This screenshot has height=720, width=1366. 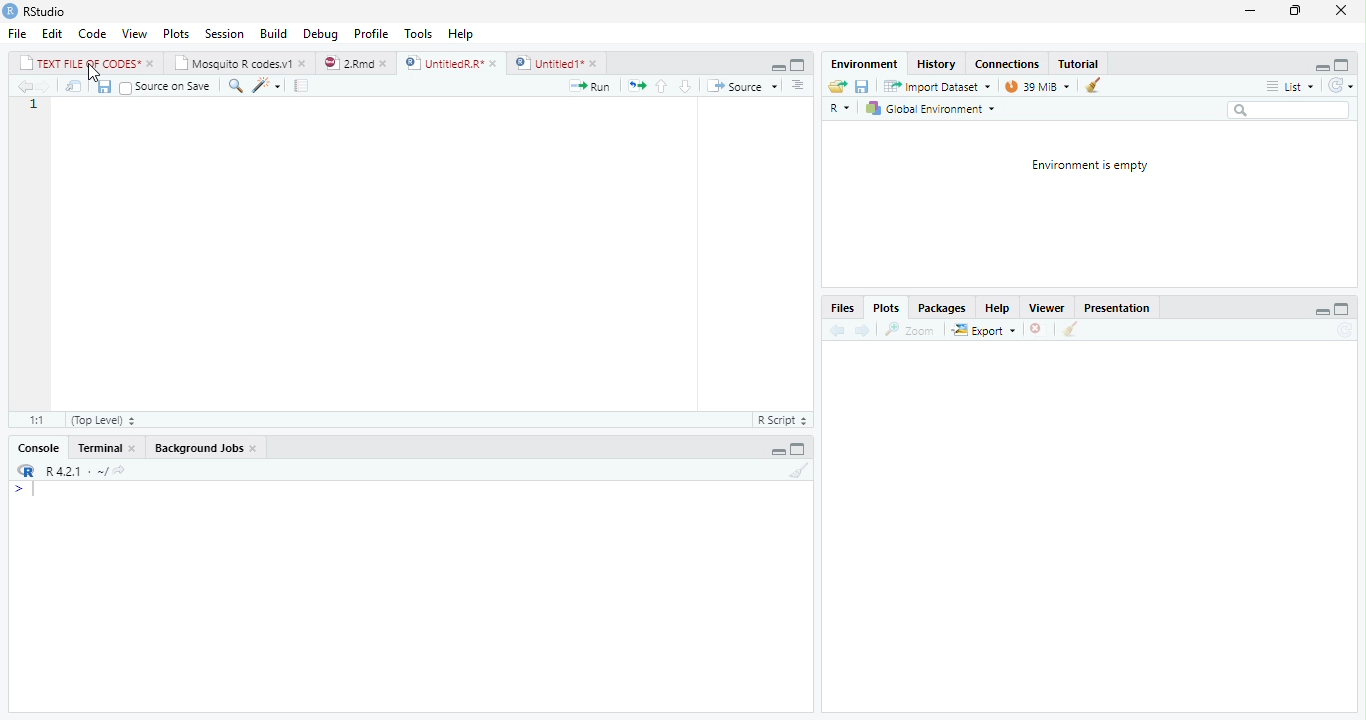 What do you see at coordinates (837, 85) in the screenshot?
I see `Open folder` at bounding box center [837, 85].